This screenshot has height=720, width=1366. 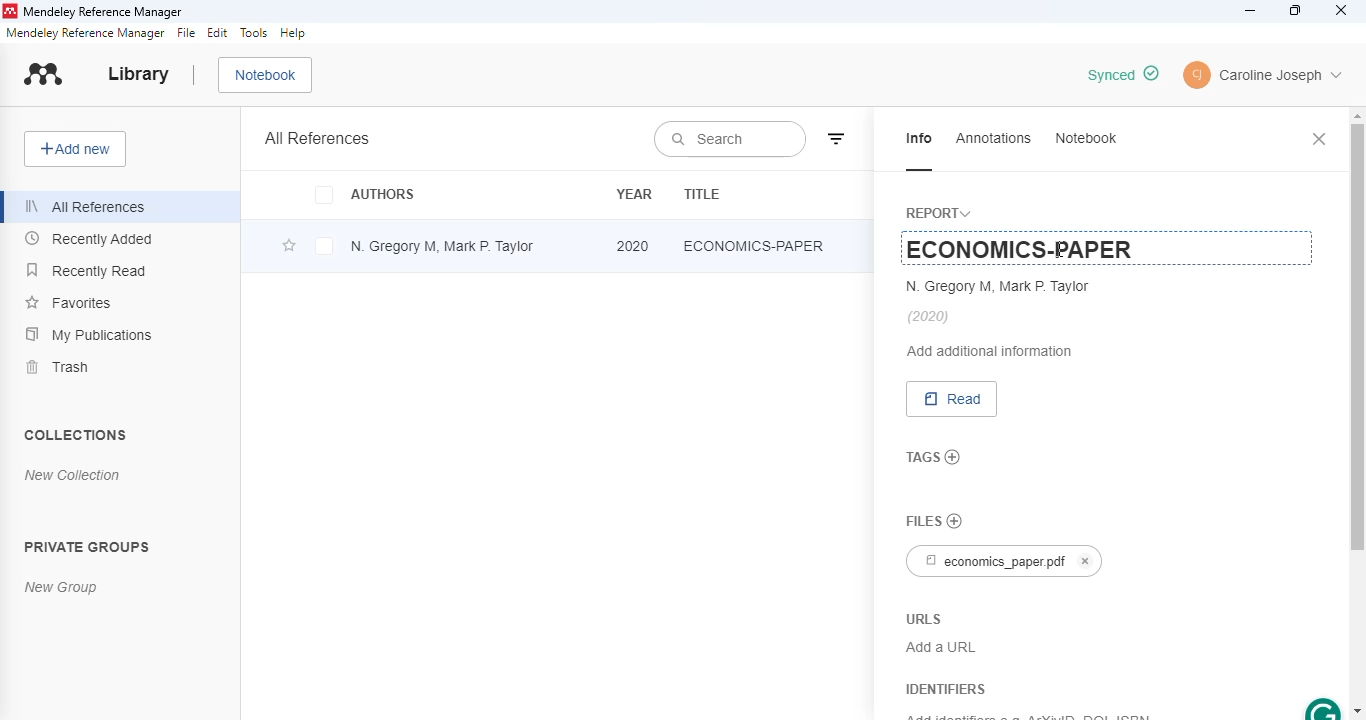 I want to click on logo, so click(x=10, y=11).